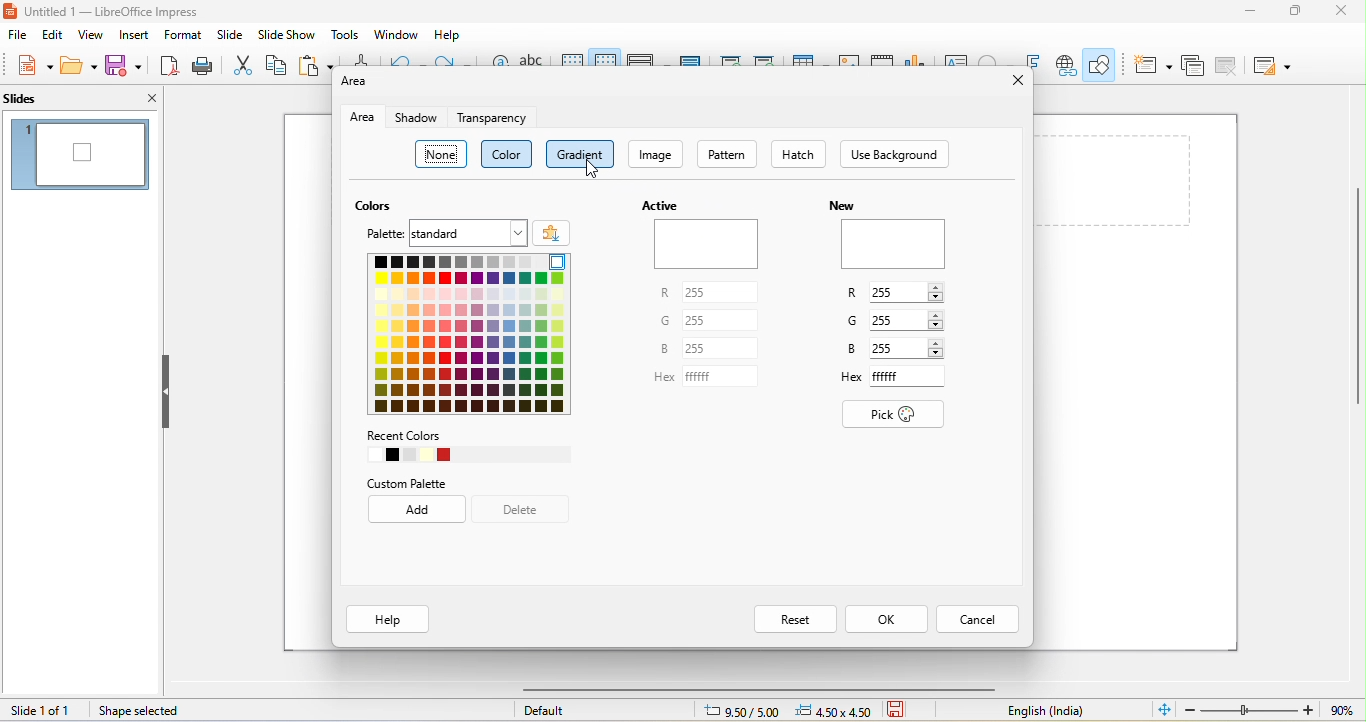 This screenshot has width=1366, height=722. Describe the element at coordinates (242, 64) in the screenshot. I see `cut` at that location.